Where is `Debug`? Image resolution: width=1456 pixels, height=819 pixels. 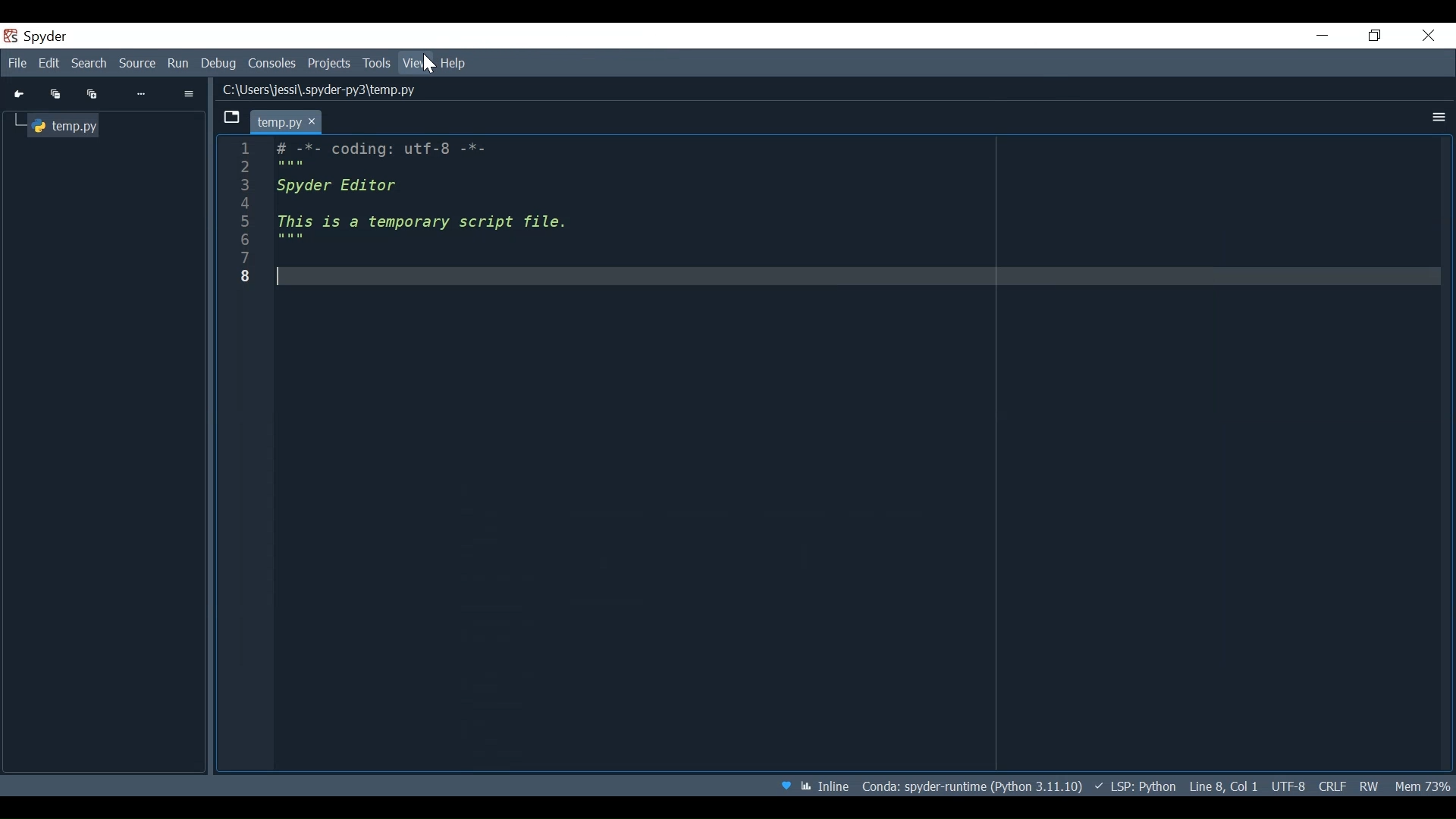 Debug is located at coordinates (220, 63).